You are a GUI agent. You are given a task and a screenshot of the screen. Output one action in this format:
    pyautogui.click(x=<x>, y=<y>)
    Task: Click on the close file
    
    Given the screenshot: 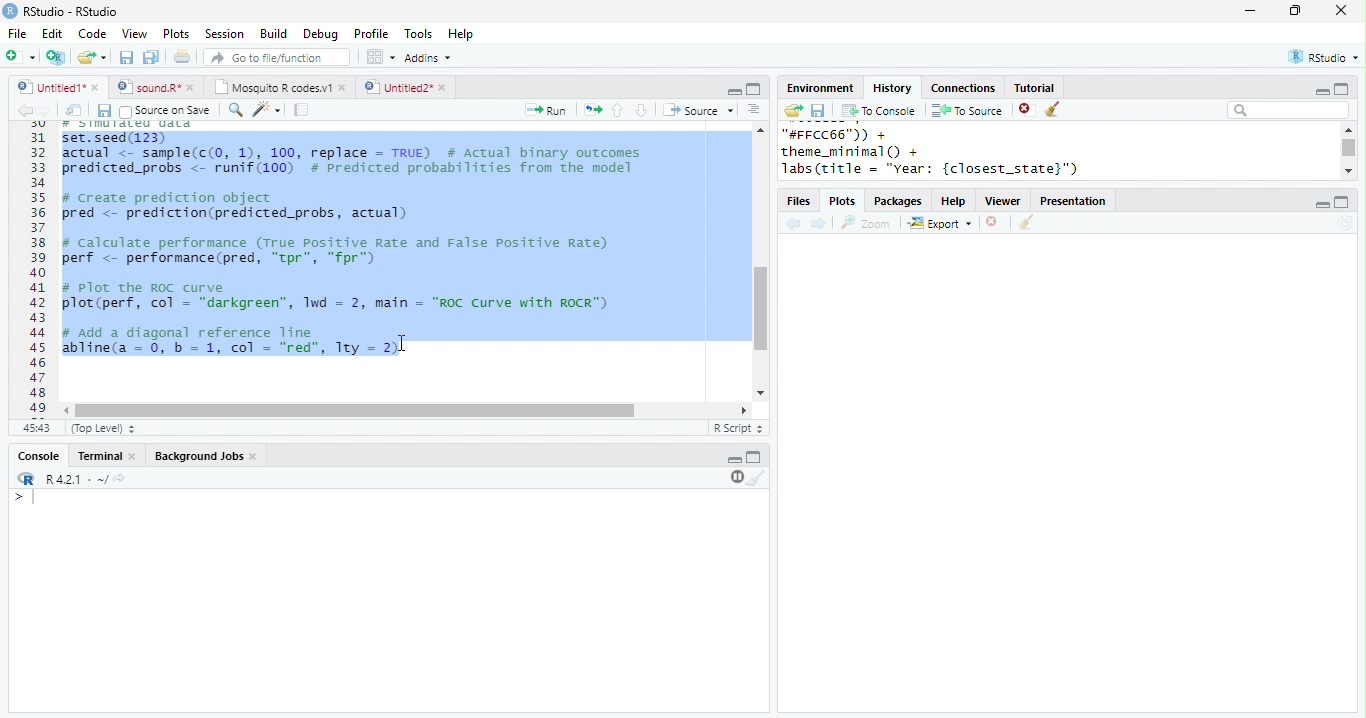 What is the action you would take?
    pyautogui.click(x=1027, y=110)
    